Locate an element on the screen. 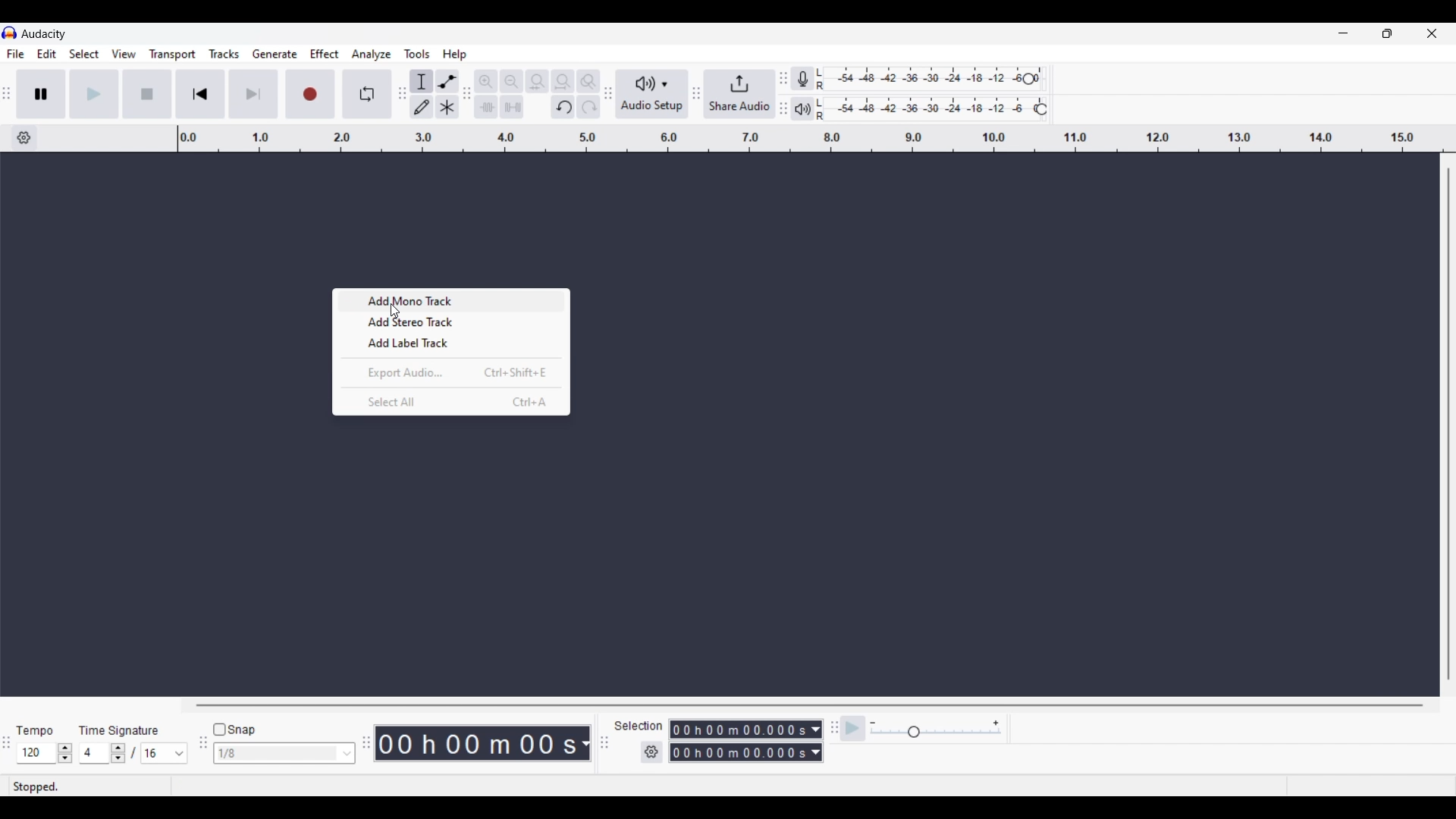 The image size is (1456, 819). Selection tool is located at coordinates (422, 81).